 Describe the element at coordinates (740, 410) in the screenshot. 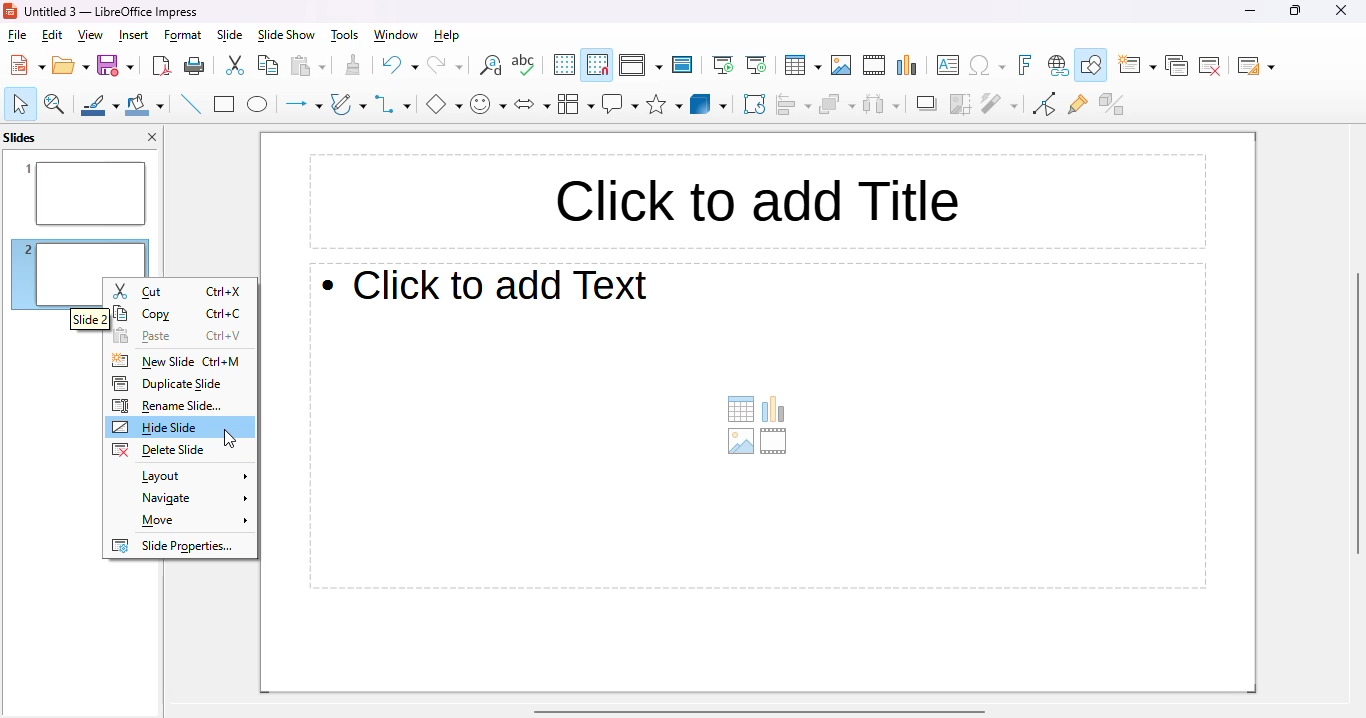

I see `table` at that location.